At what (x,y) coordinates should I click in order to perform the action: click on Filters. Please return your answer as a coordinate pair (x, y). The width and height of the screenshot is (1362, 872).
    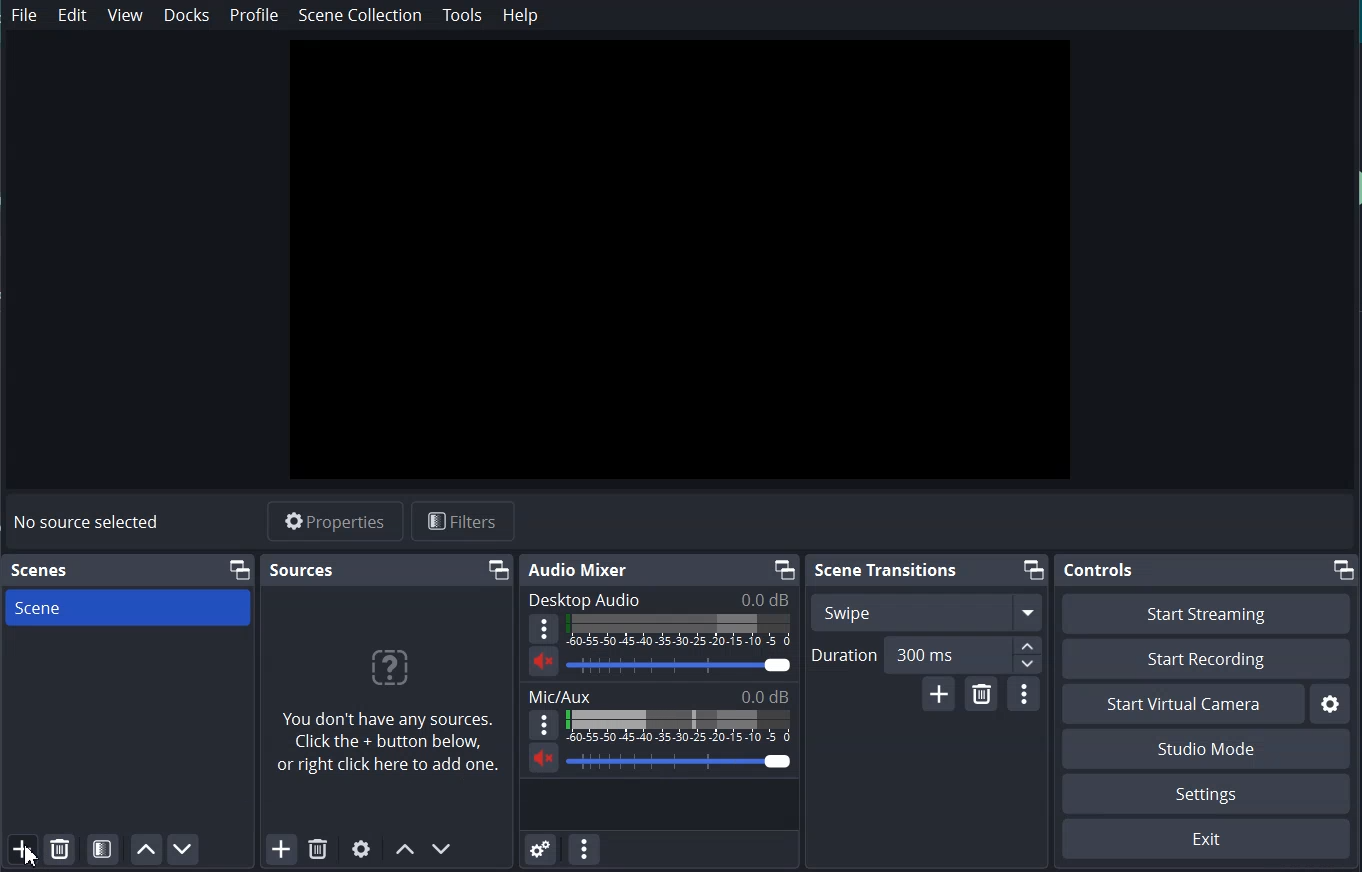
    Looking at the image, I should click on (463, 520).